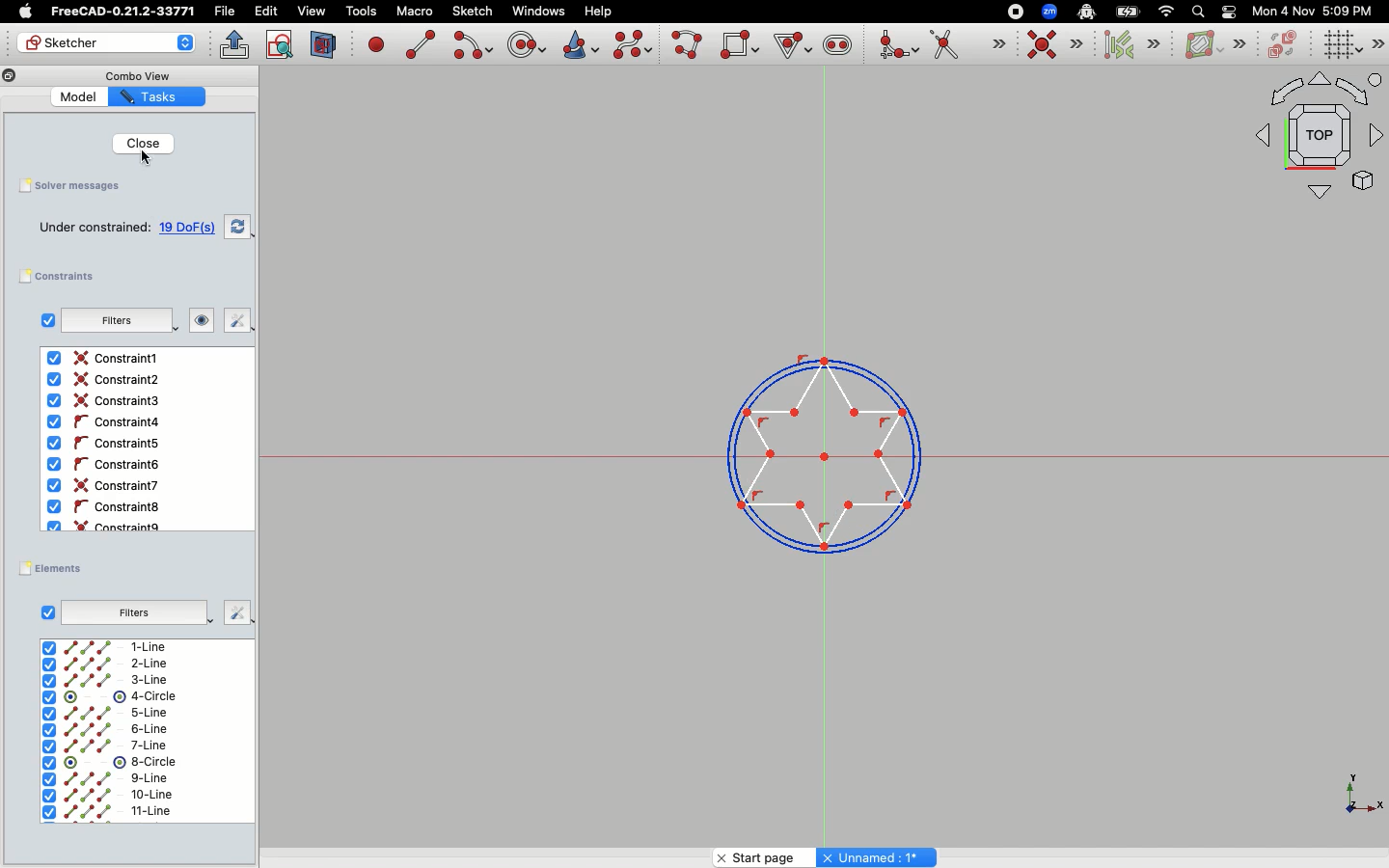  Describe the element at coordinates (740, 44) in the screenshot. I see `Create rectangle` at that location.